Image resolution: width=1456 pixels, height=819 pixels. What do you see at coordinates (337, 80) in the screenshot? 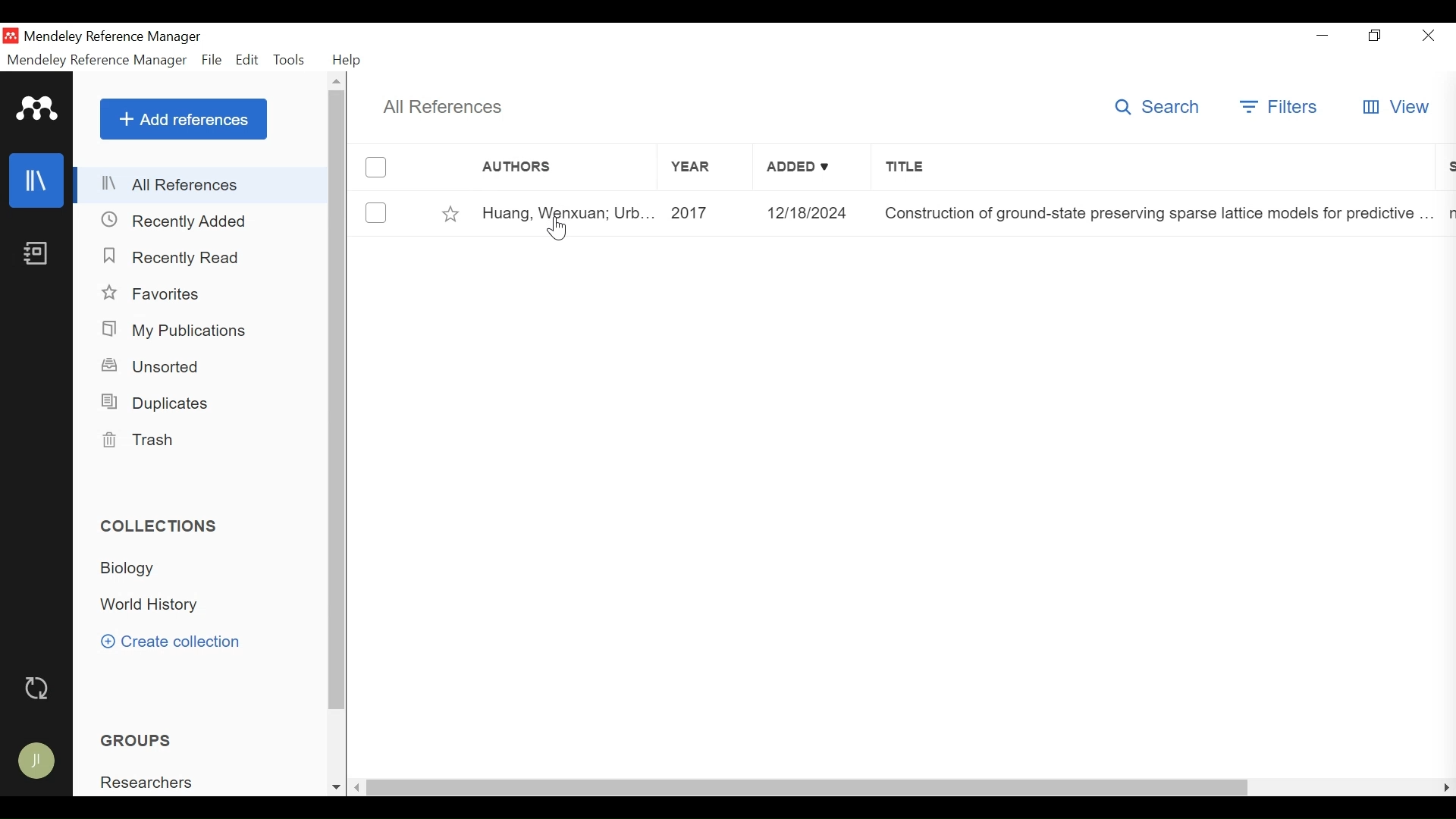
I see `Scroll Up` at bounding box center [337, 80].